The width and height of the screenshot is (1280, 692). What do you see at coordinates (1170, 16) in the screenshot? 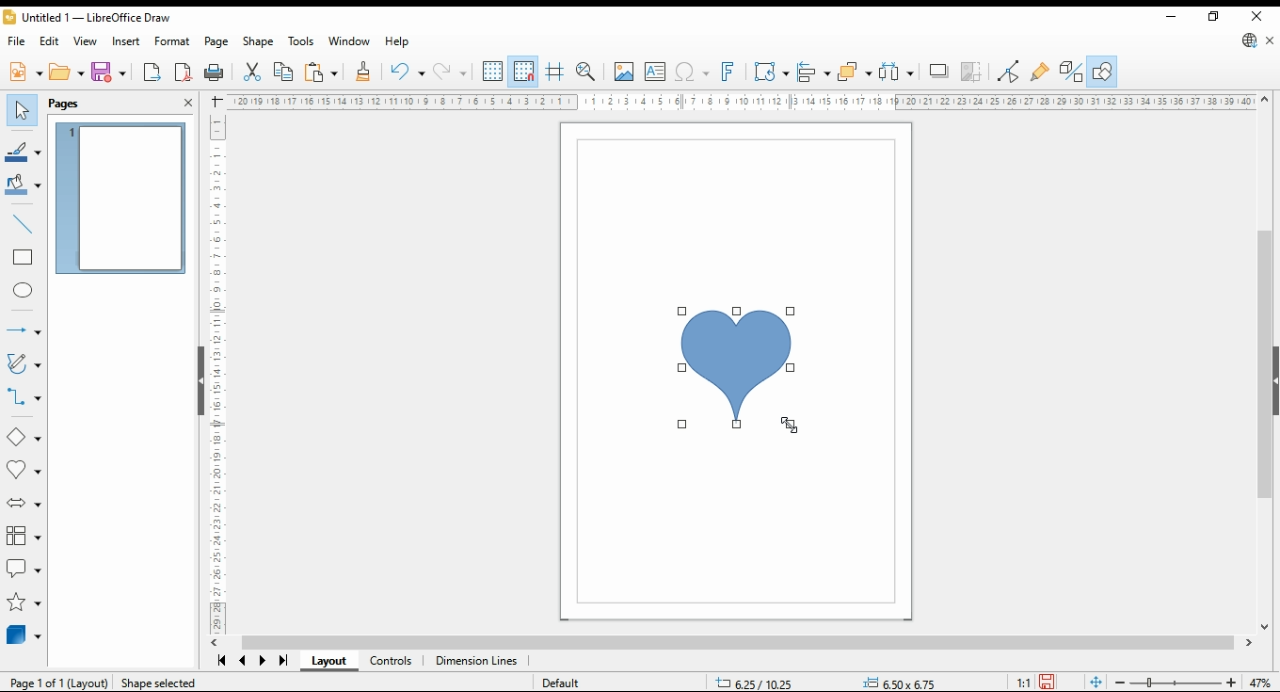
I see `minimize` at bounding box center [1170, 16].